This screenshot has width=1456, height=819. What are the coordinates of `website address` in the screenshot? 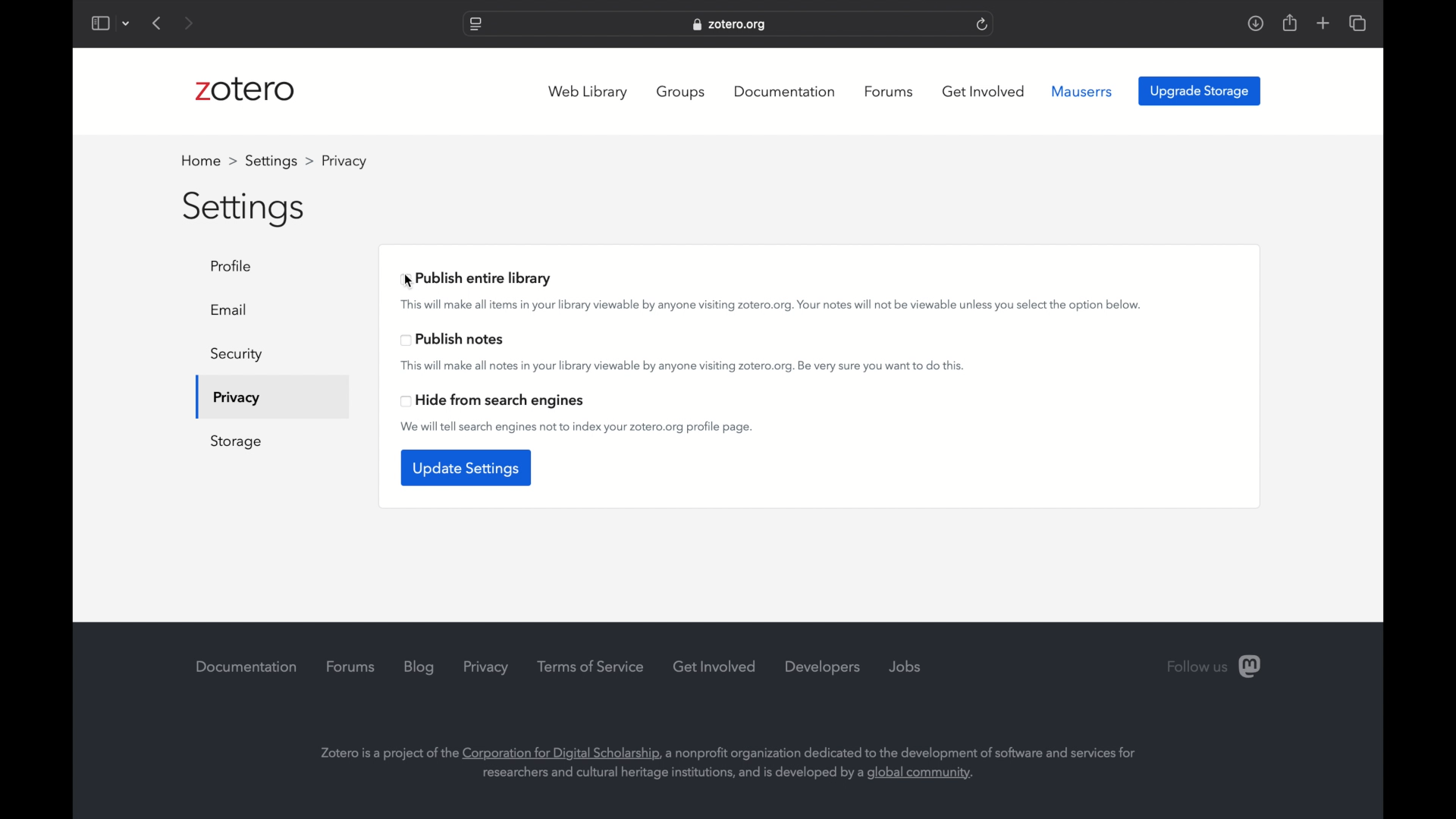 It's located at (729, 24).